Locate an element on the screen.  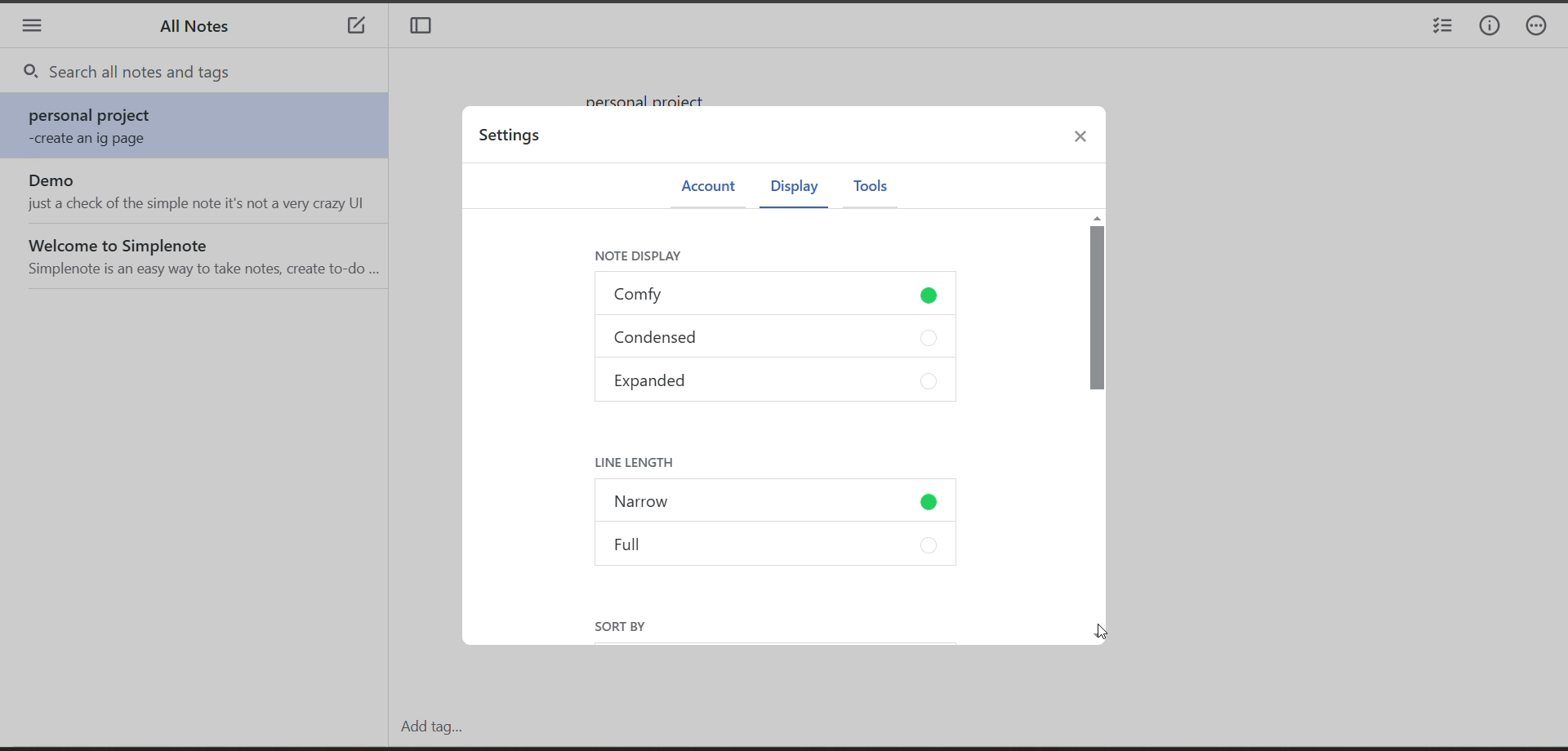
note 2 is located at coordinates (199, 192).